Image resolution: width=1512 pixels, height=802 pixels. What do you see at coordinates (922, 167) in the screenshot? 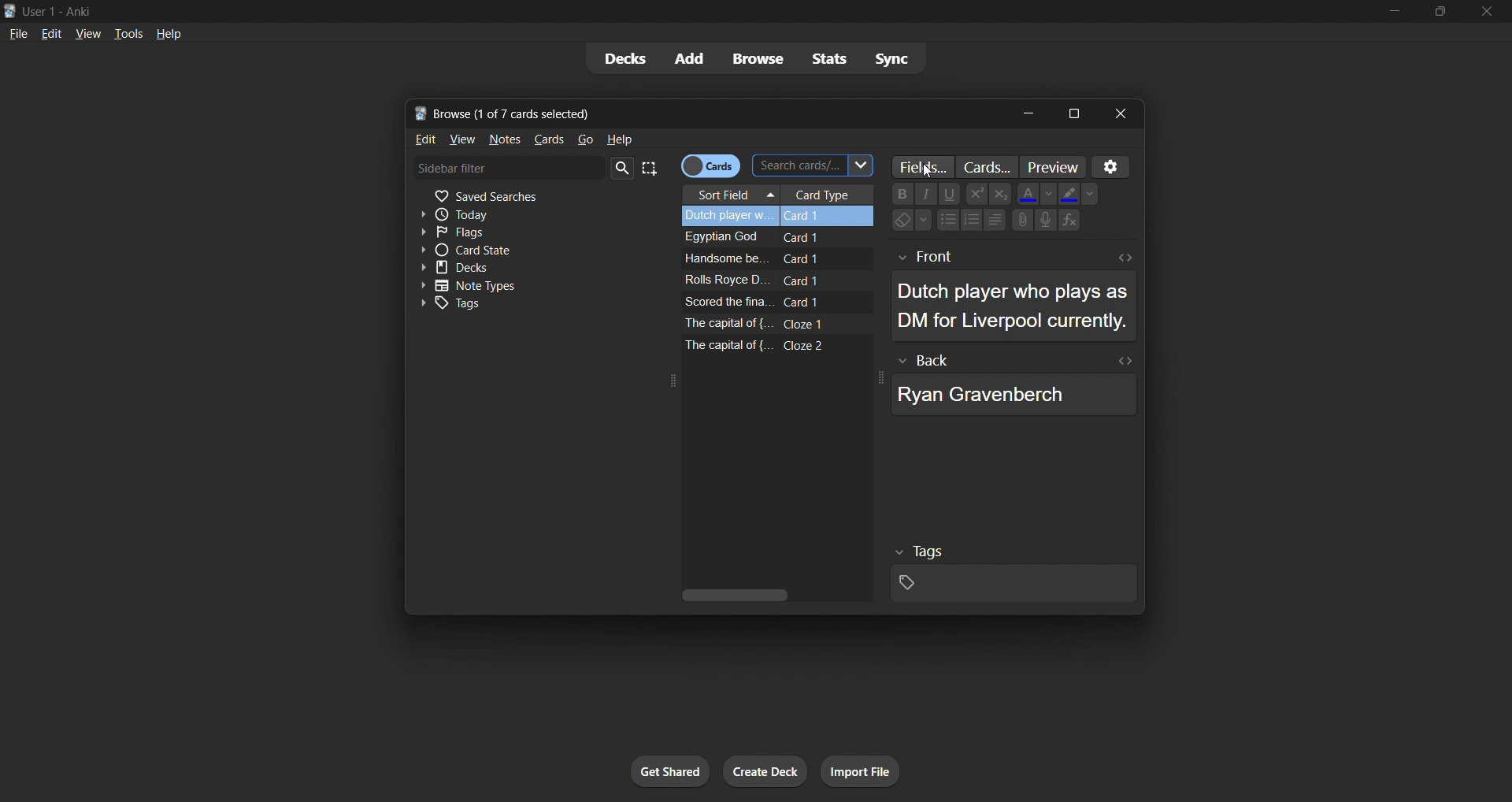
I see `customize fields` at bounding box center [922, 167].